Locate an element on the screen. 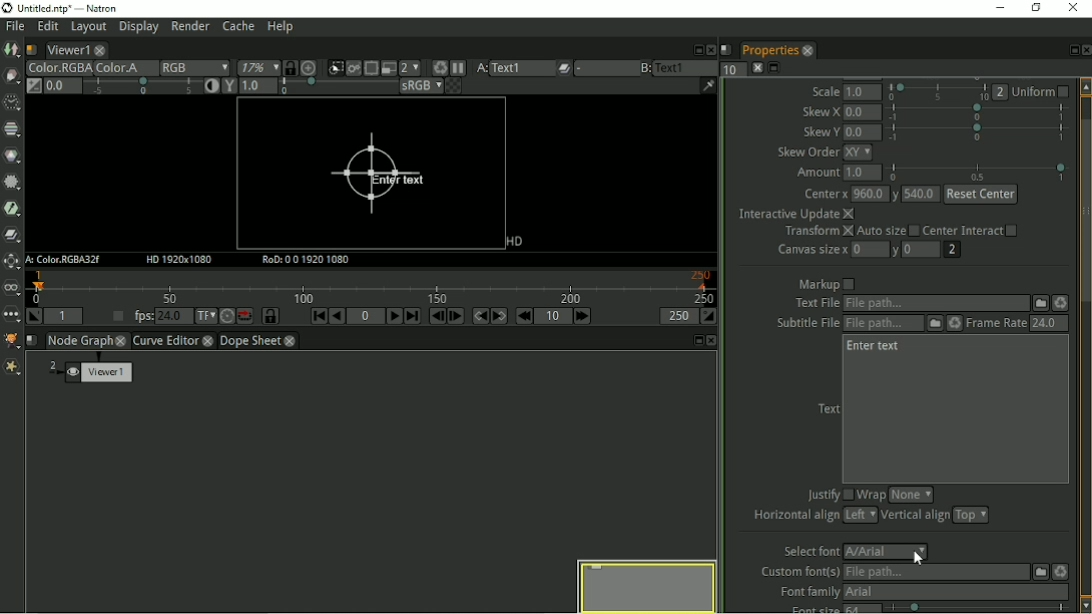  64 is located at coordinates (863, 609).